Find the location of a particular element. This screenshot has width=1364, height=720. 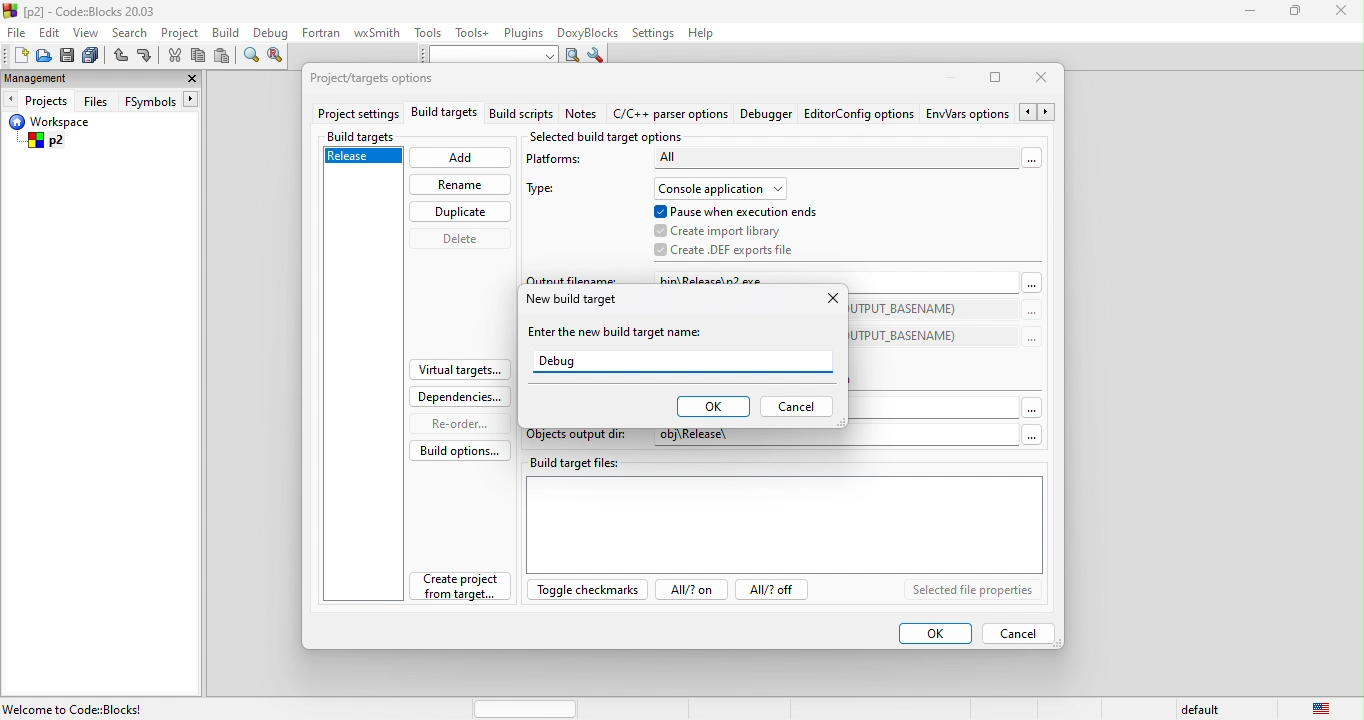

close is located at coordinates (1345, 14).